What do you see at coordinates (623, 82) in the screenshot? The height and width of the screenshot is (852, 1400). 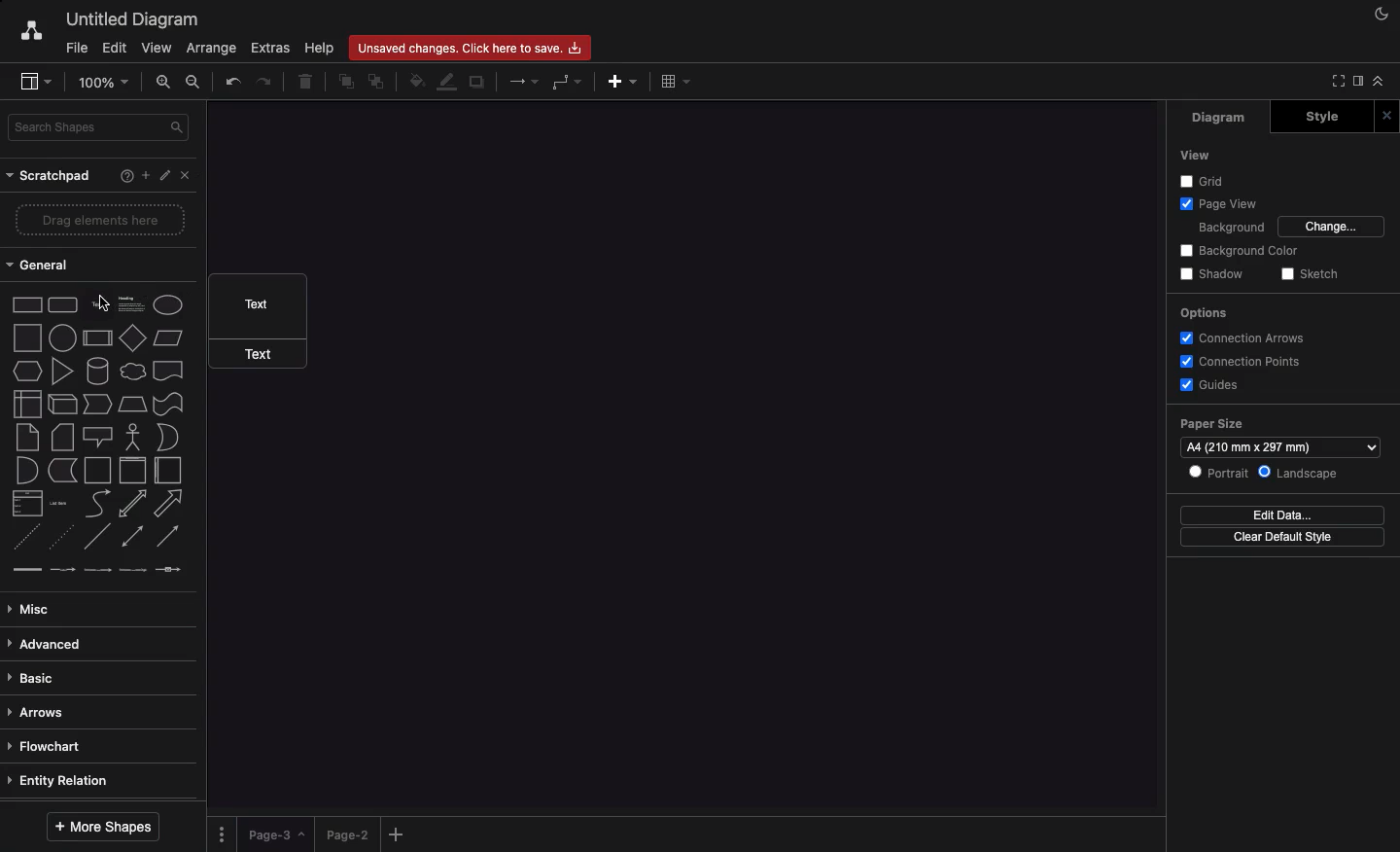 I see `Add` at bounding box center [623, 82].